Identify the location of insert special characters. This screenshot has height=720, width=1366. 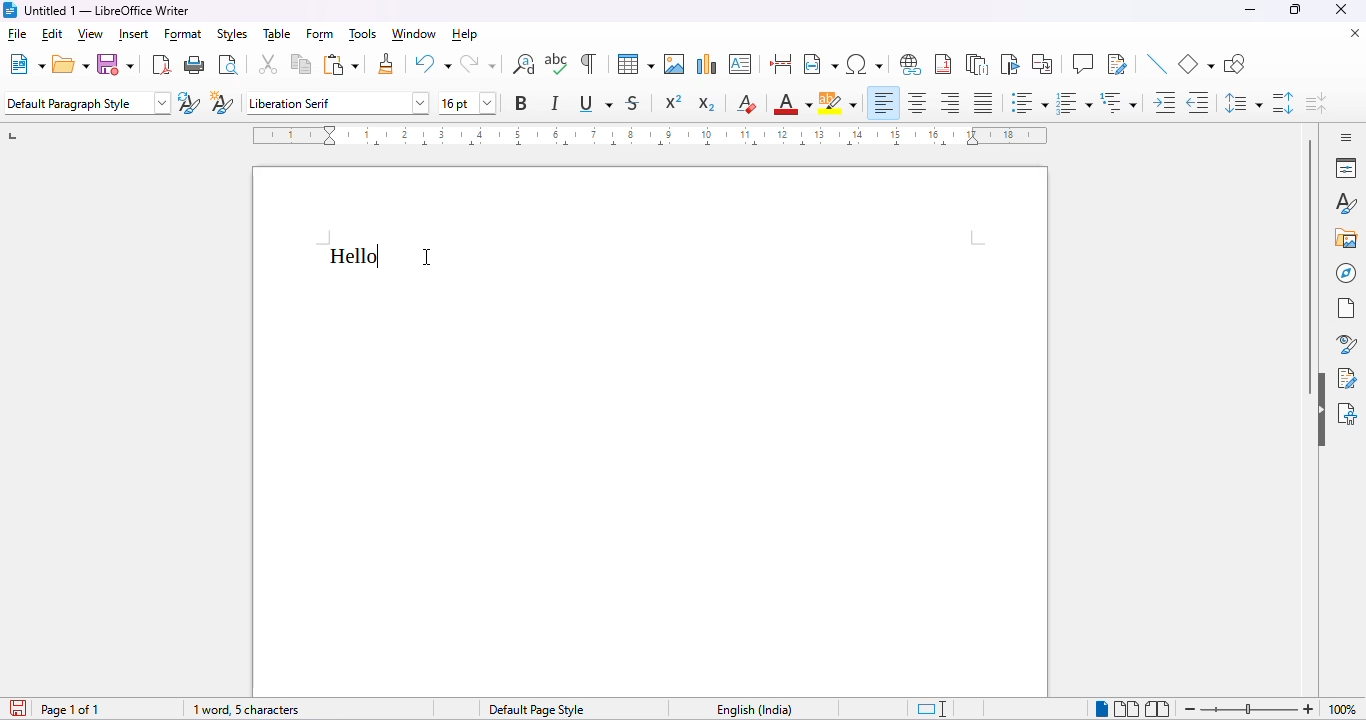
(864, 64).